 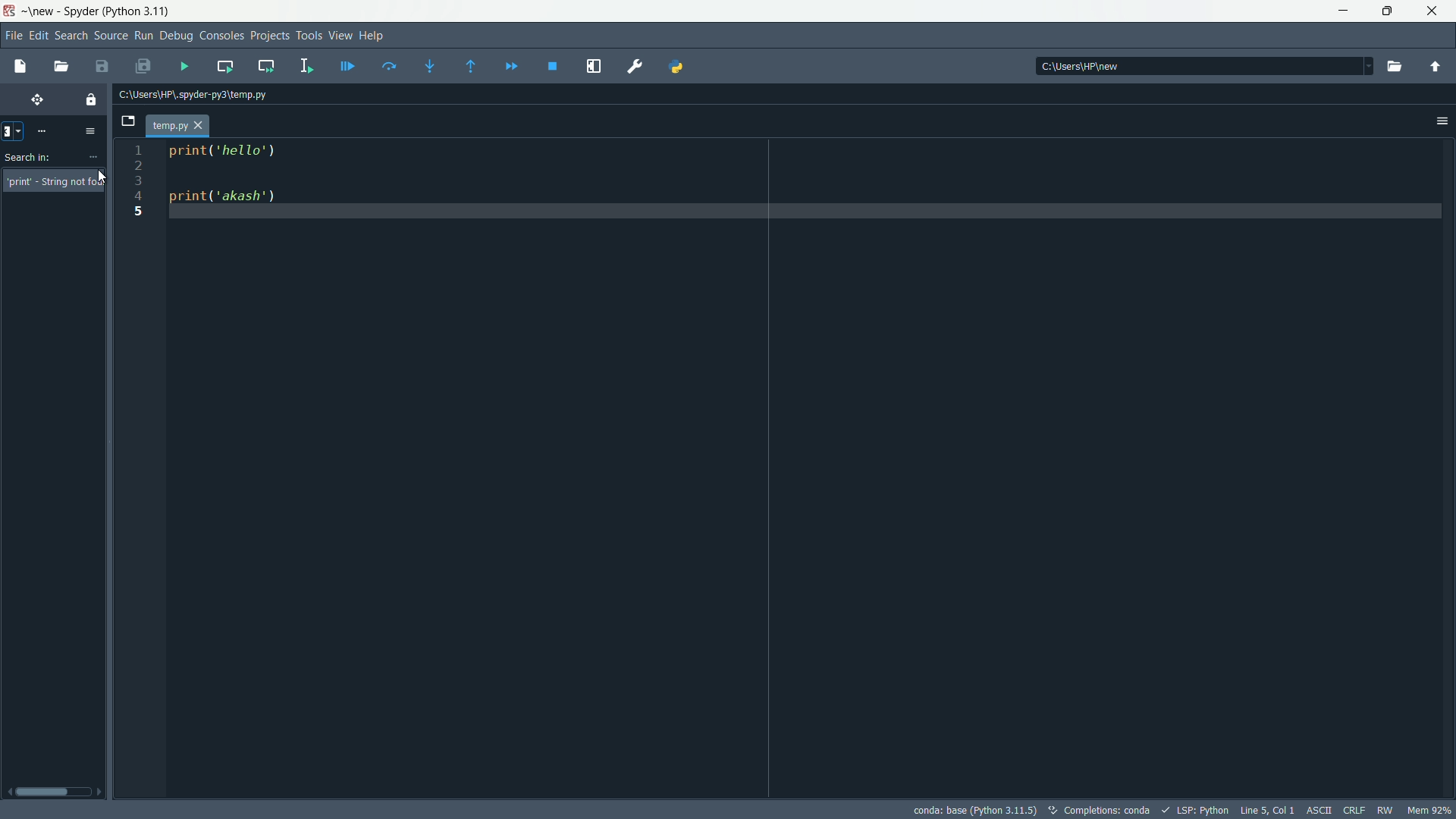 What do you see at coordinates (136, 11) in the screenshot?
I see `python 3.11` at bounding box center [136, 11].